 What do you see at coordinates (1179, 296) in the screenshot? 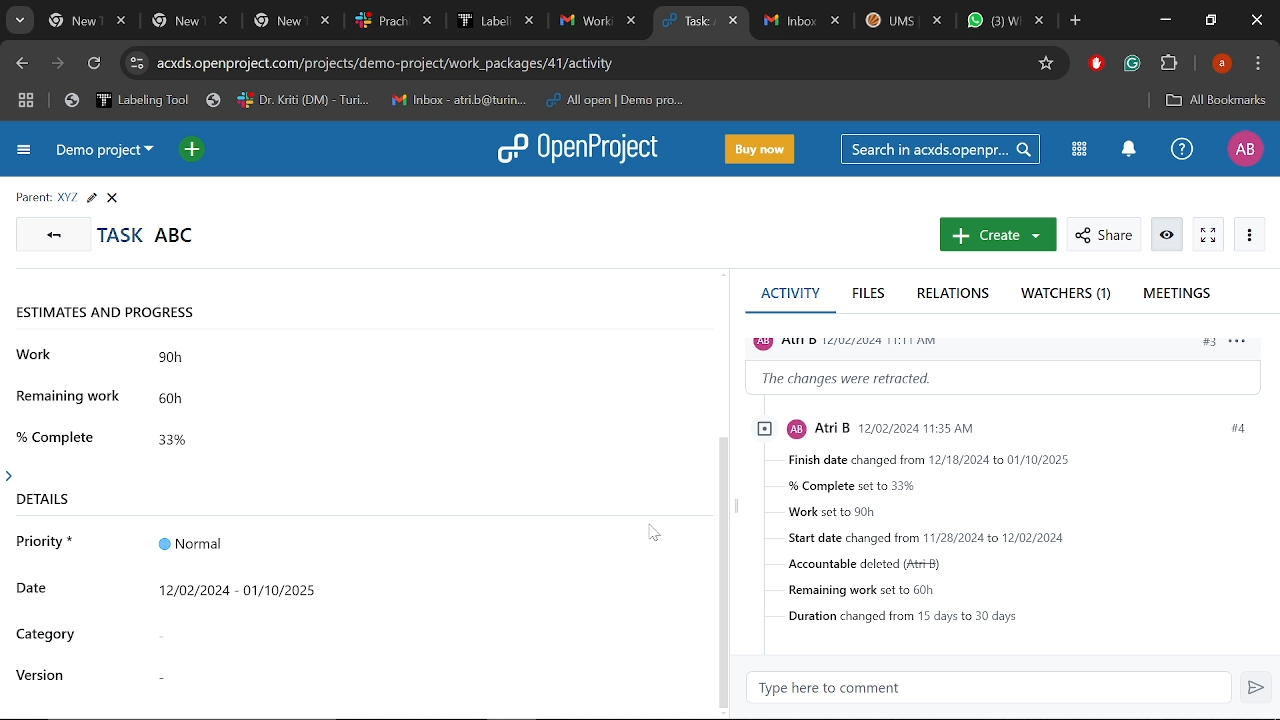
I see `Meetings` at bounding box center [1179, 296].